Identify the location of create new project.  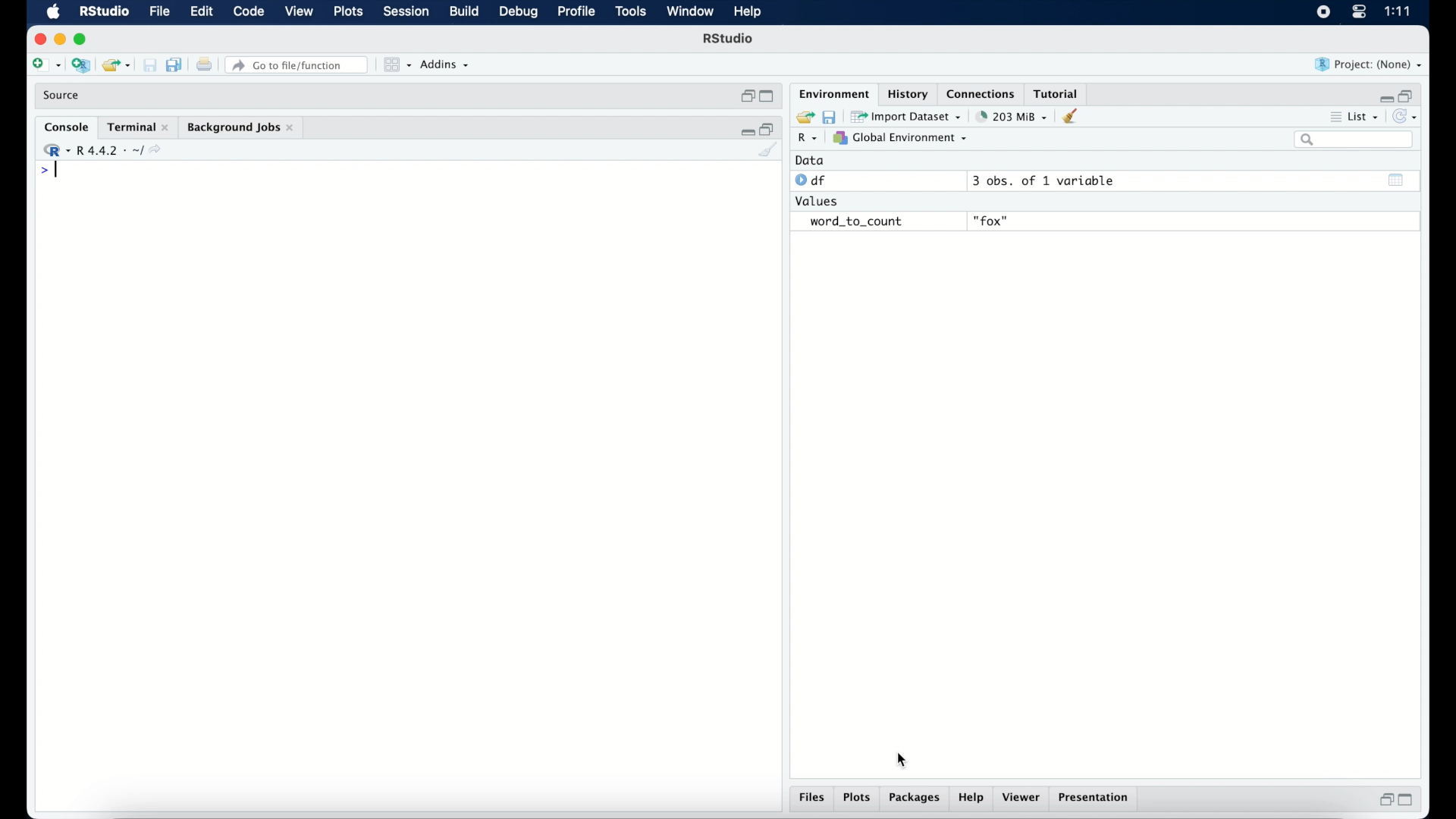
(80, 66).